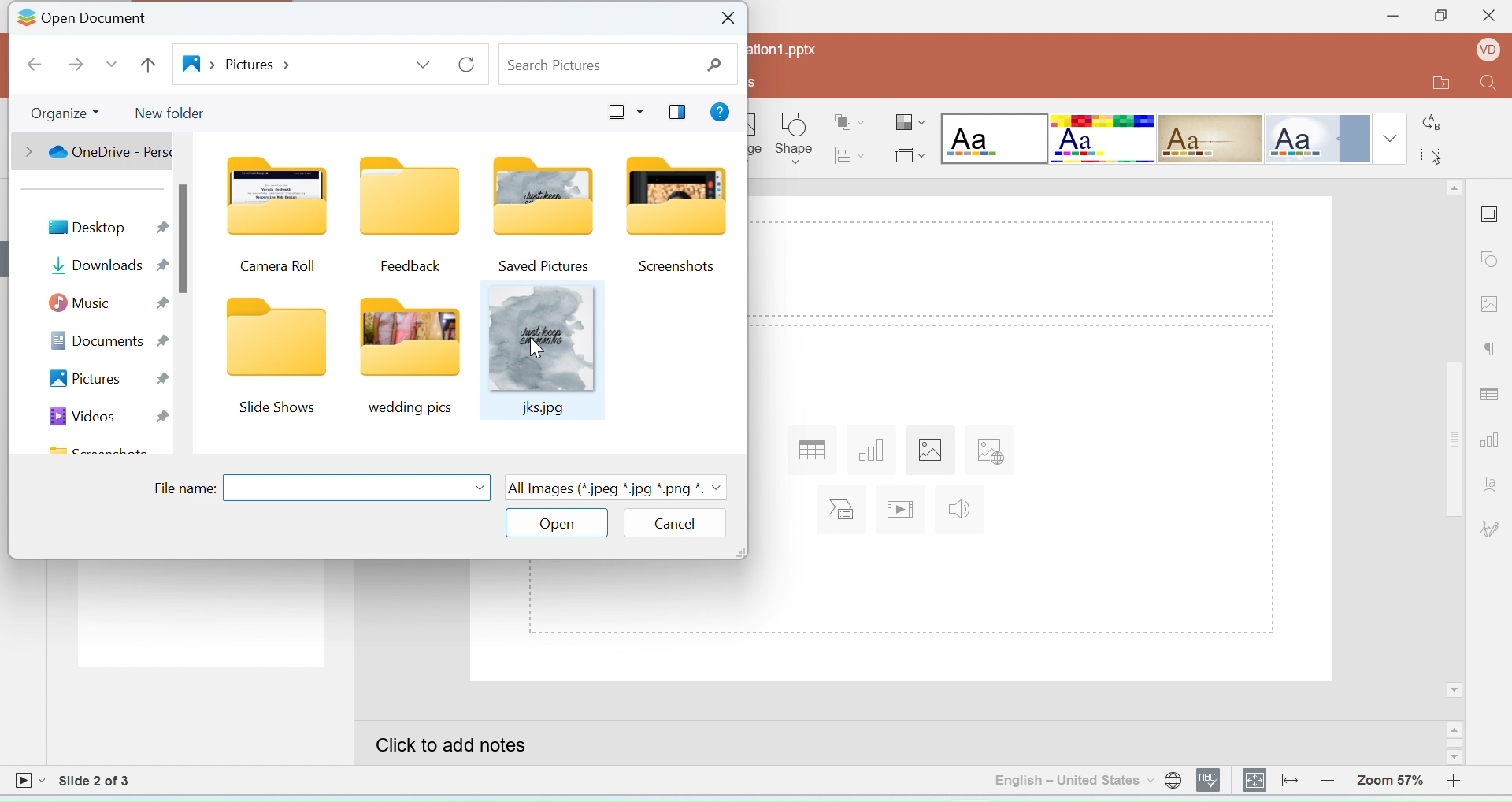  Describe the element at coordinates (900, 743) in the screenshot. I see `Click to add notes` at that location.